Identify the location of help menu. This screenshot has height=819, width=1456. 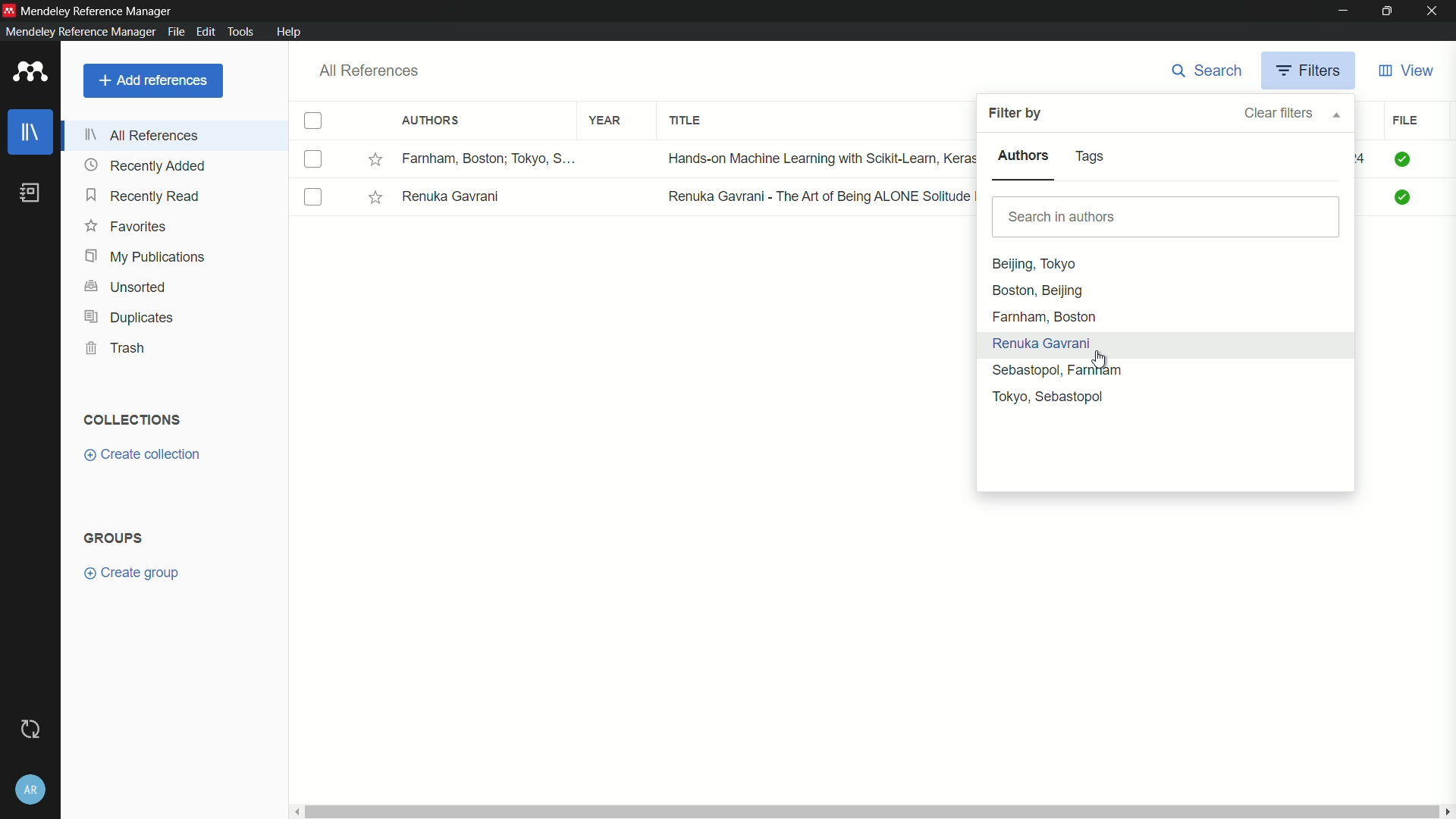
(289, 30).